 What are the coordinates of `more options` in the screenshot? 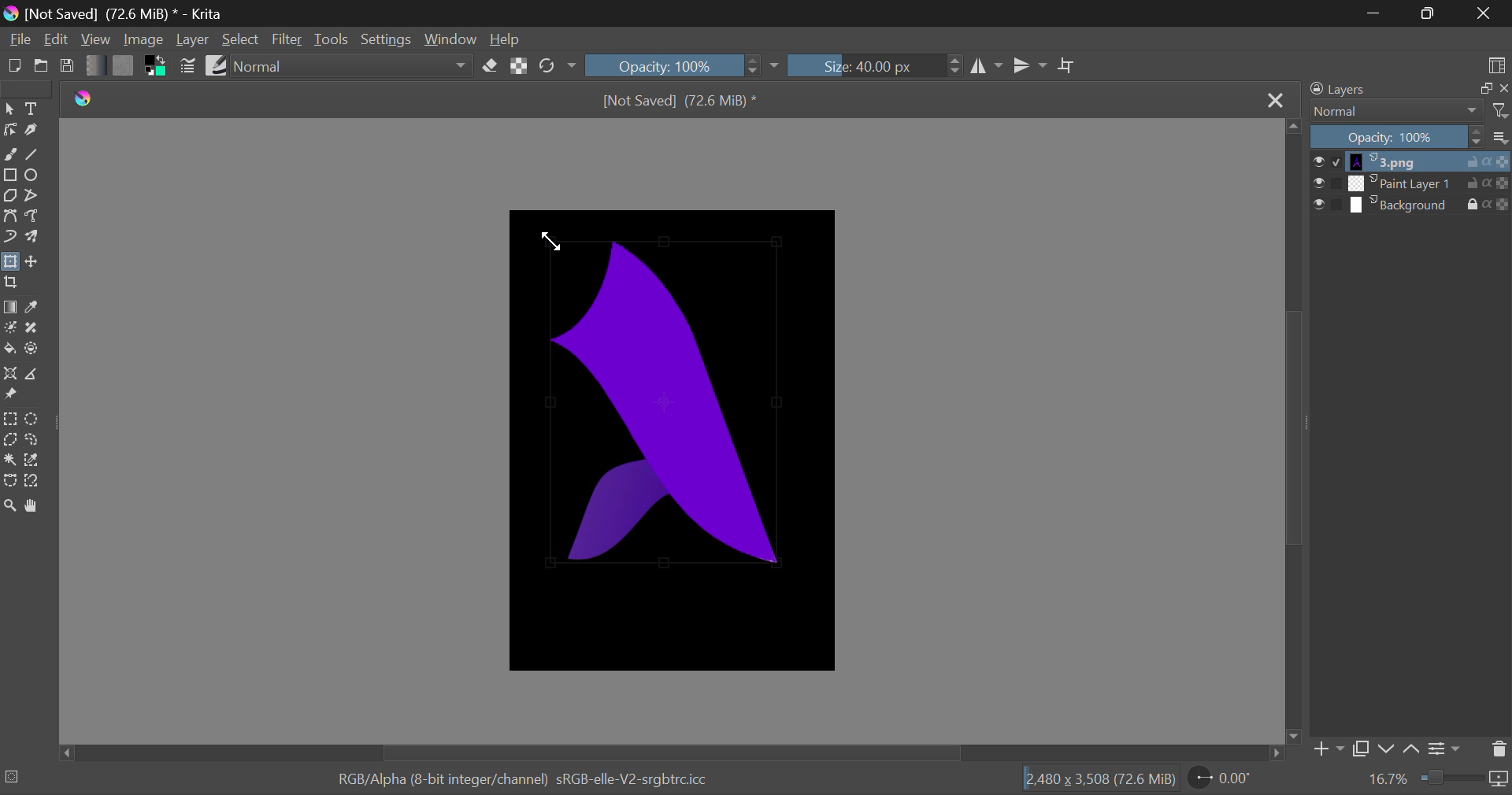 It's located at (1499, 139).